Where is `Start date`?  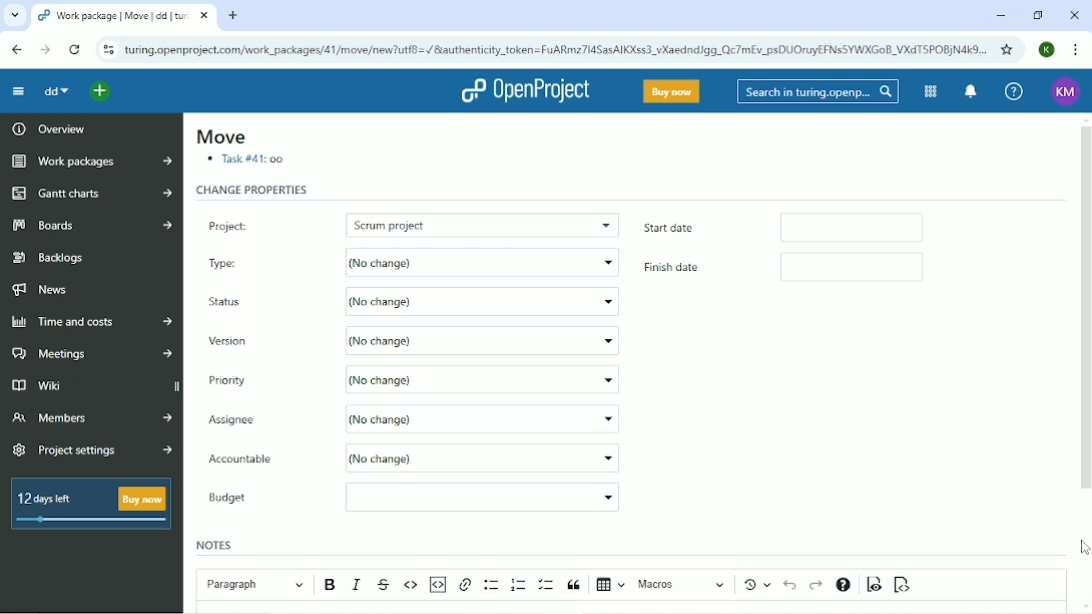
Start date is located at coordinates (694, 226).